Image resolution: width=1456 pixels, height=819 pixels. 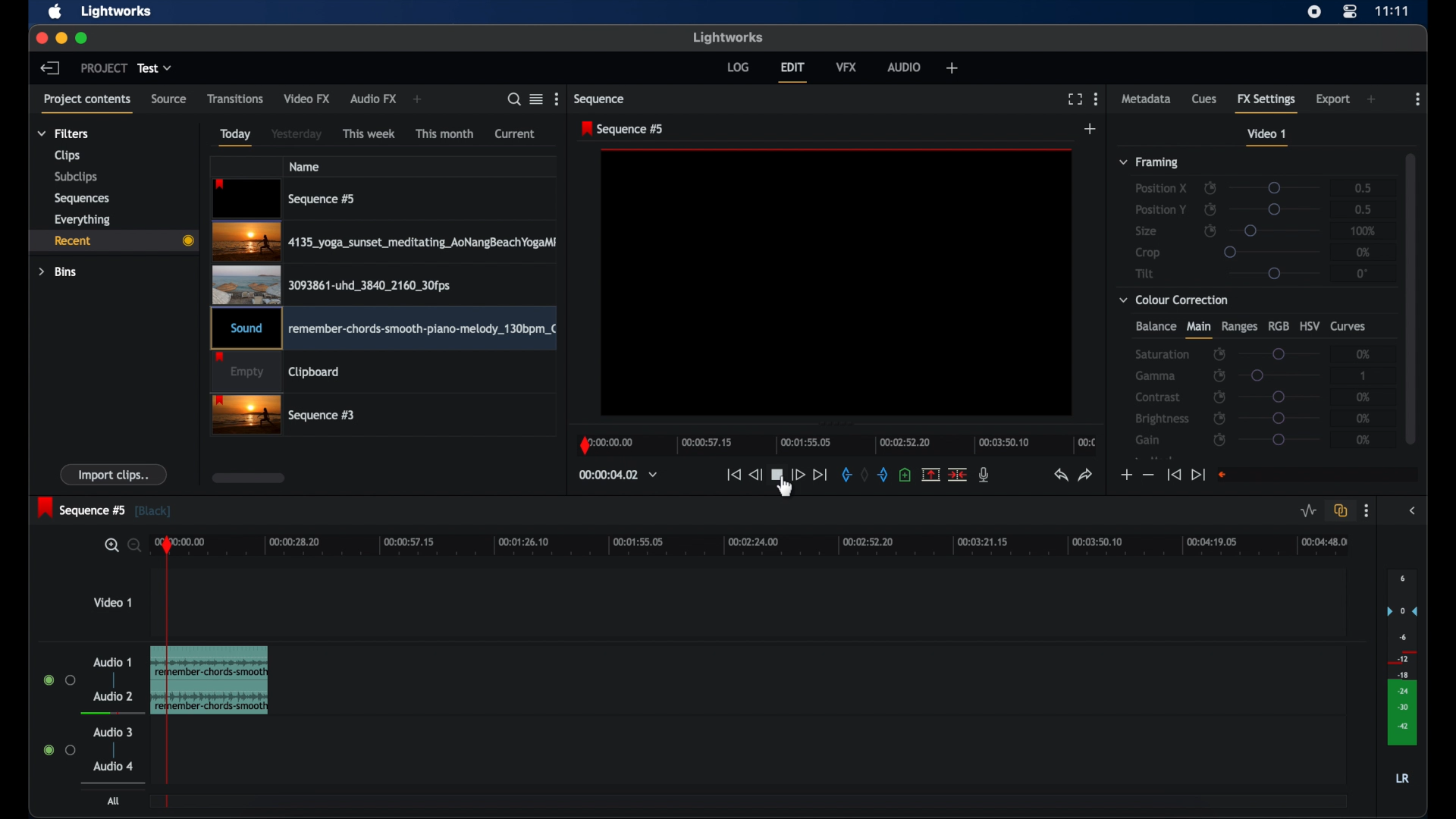 What do you see at coordinates (1371, 99) in the screenshot?
I see `add` at bounding box center [1371, 99].